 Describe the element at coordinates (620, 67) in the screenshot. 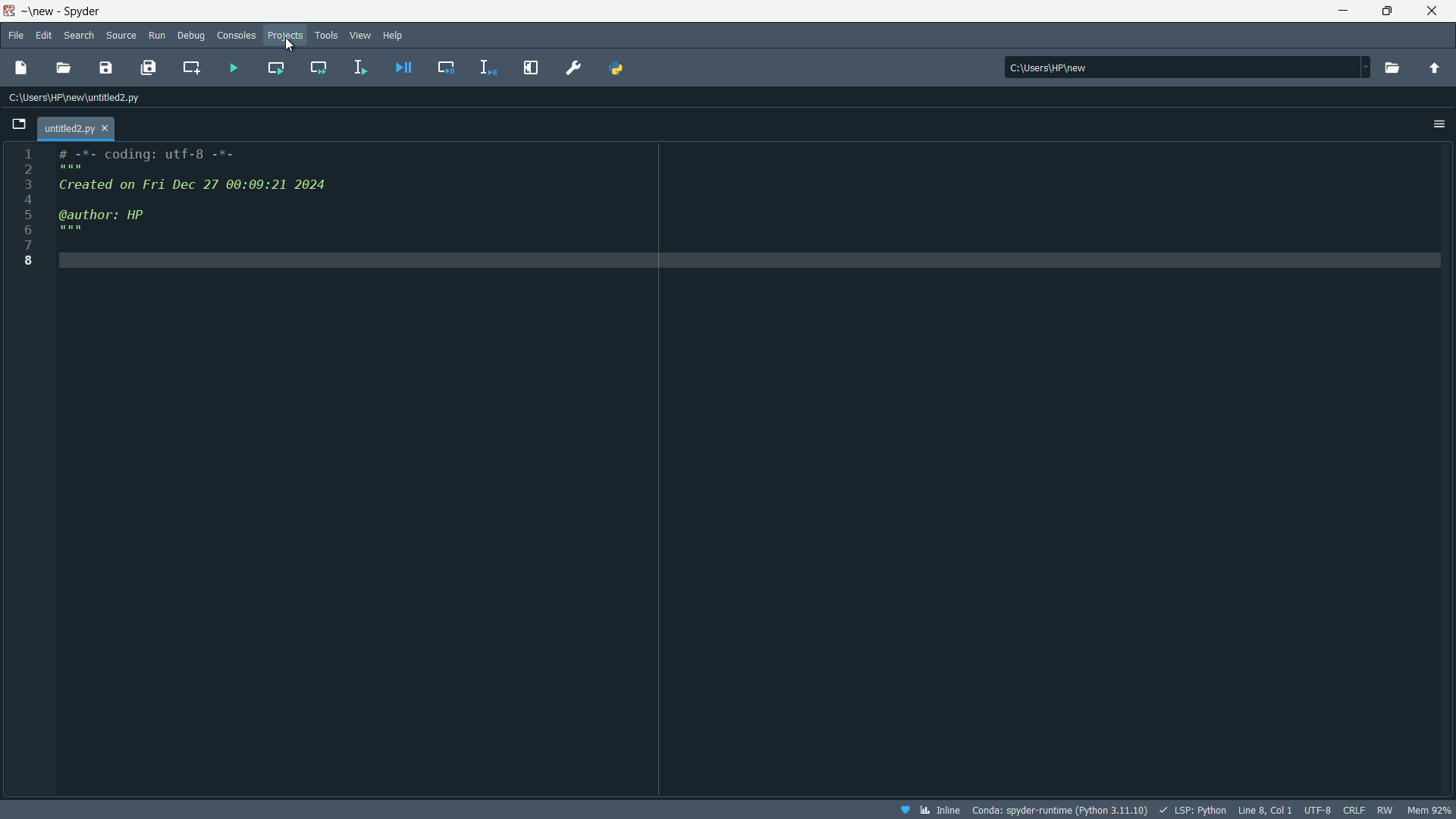

I see `python path manager` at that location.